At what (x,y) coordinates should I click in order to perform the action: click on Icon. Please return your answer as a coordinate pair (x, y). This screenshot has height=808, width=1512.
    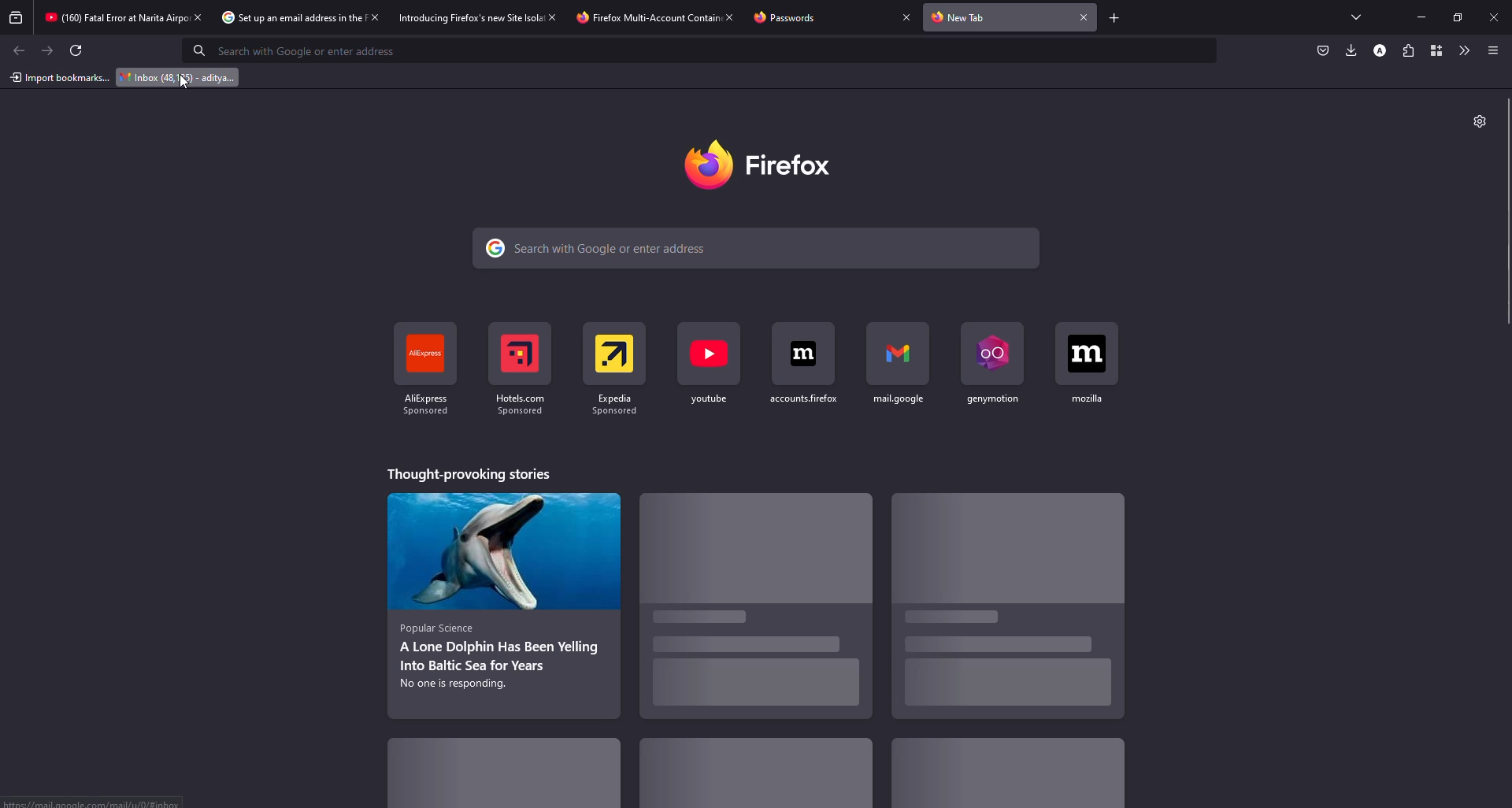
    Looking at the image, I should click on (706, 355).